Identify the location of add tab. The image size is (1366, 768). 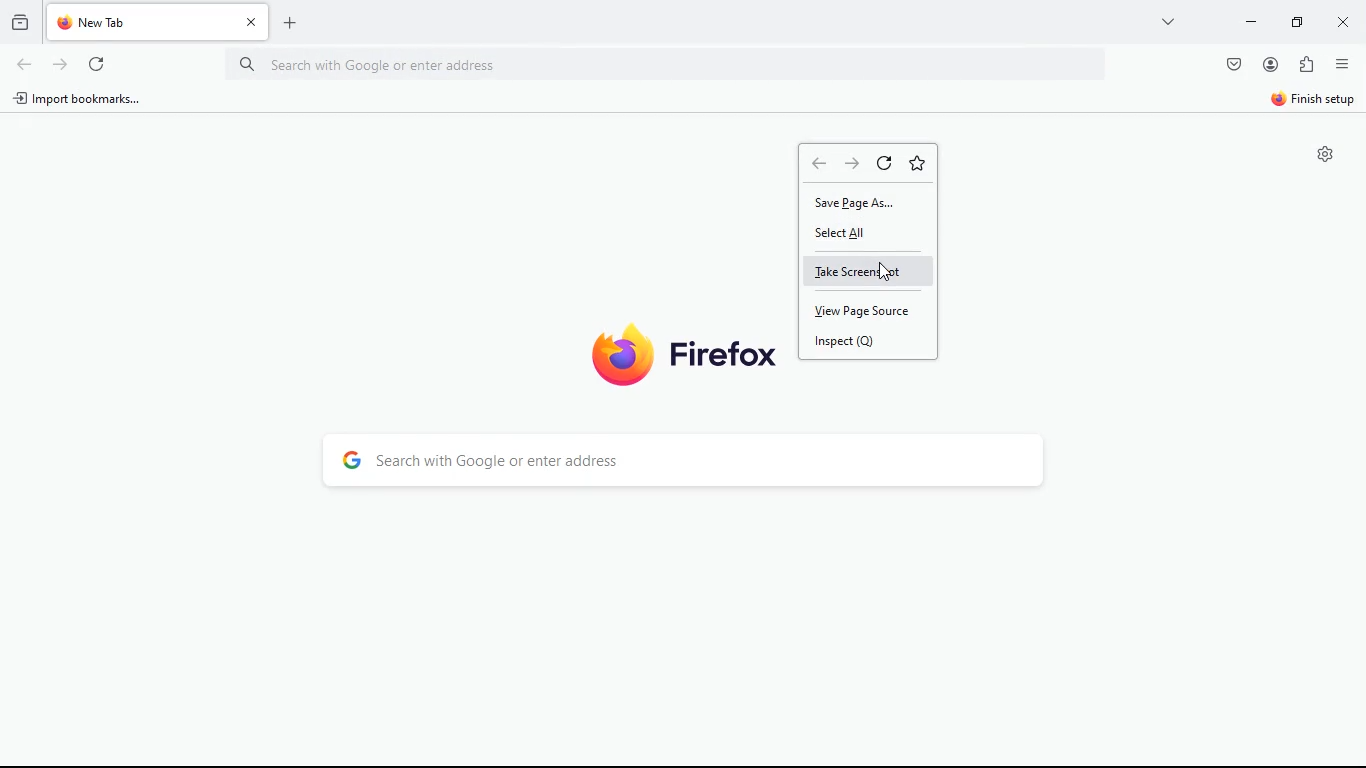
(289, 25).